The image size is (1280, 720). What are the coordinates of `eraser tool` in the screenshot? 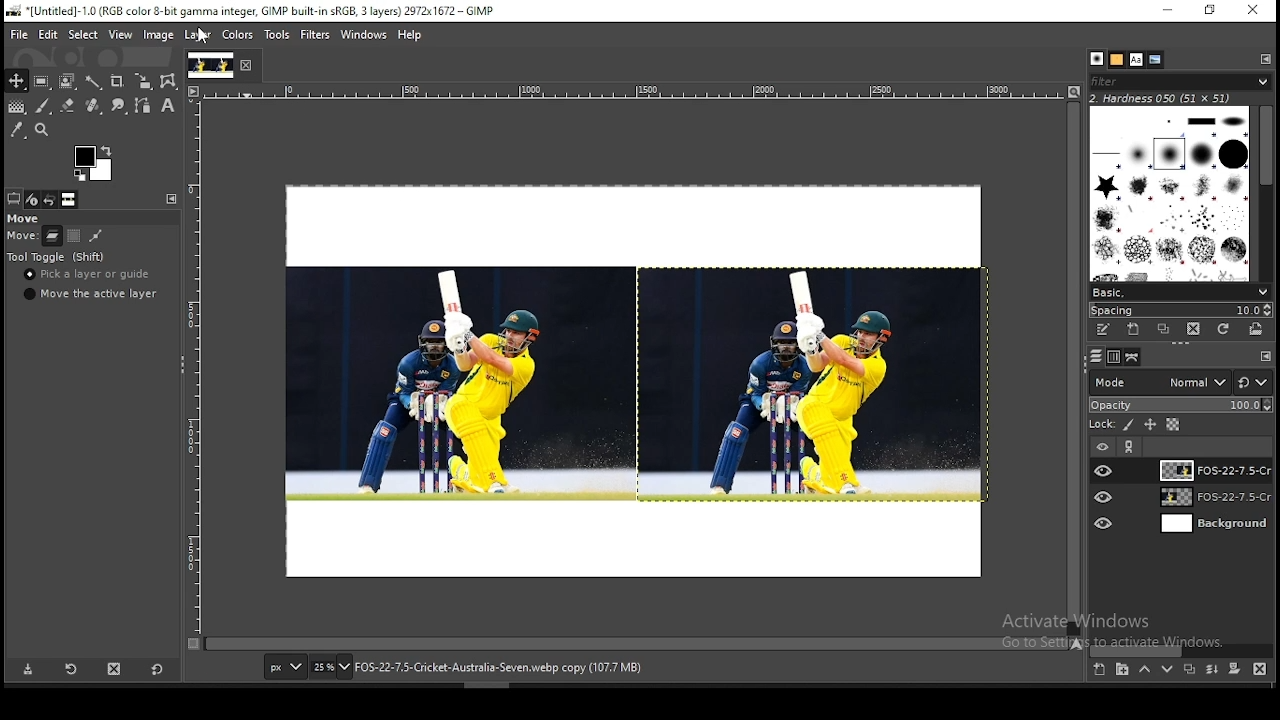 It's located at (63, 106).